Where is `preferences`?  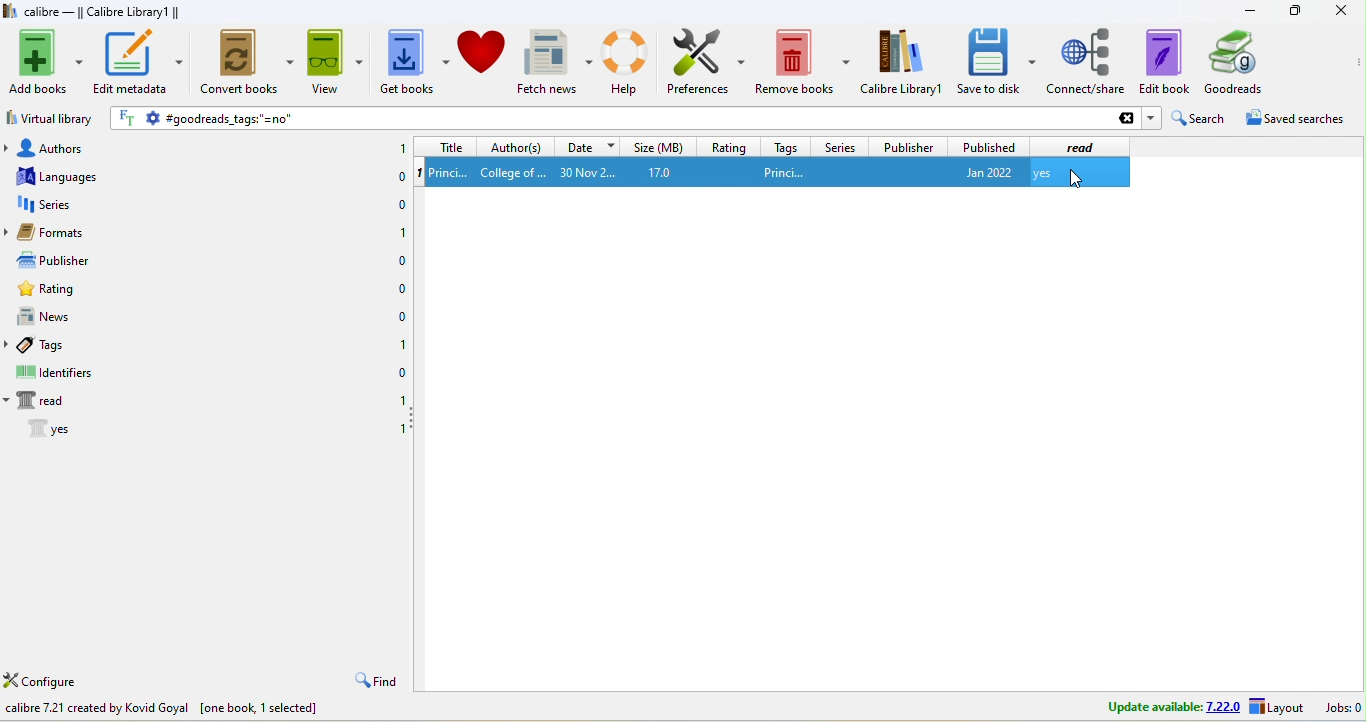
preferences is located at coordinates (706, 62).